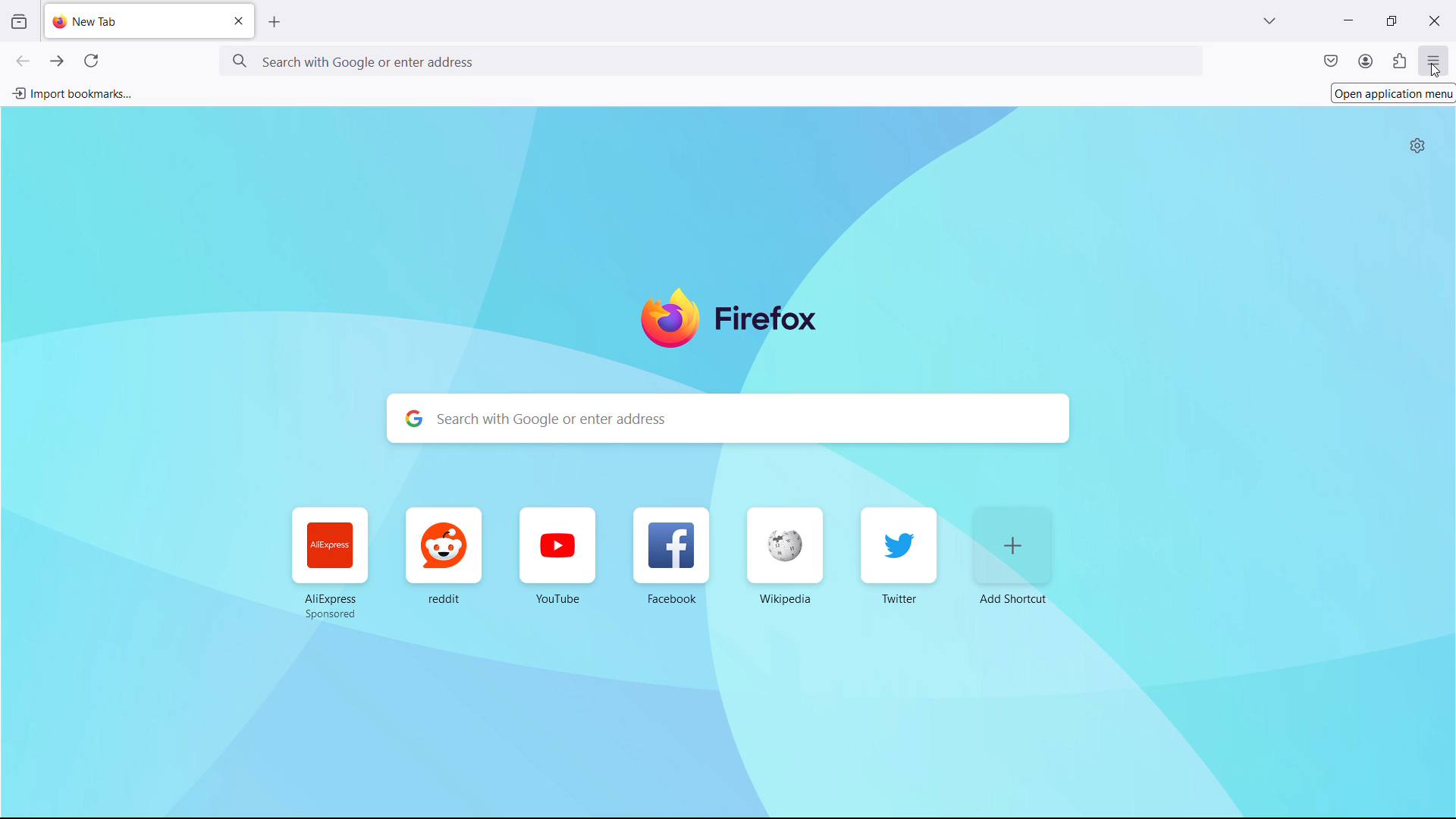 This screenshot has width=1456, height=819. What do you see at coordinates (72, 93) in the screenshot?
I see `import bookmarks` at bounding box center [72, 93].